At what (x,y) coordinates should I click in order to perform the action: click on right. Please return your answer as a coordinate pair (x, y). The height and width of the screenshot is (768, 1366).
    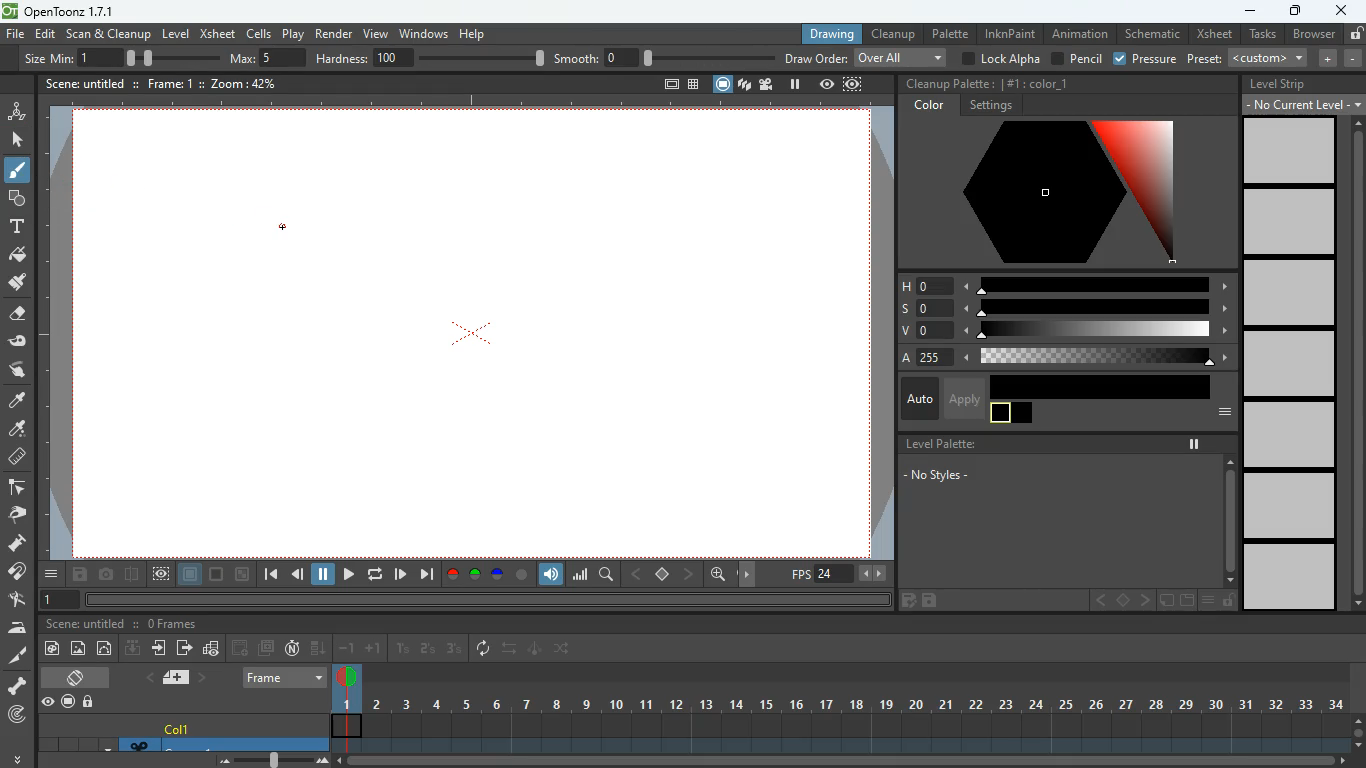
    Looking at the image, I should click on (750, 575).